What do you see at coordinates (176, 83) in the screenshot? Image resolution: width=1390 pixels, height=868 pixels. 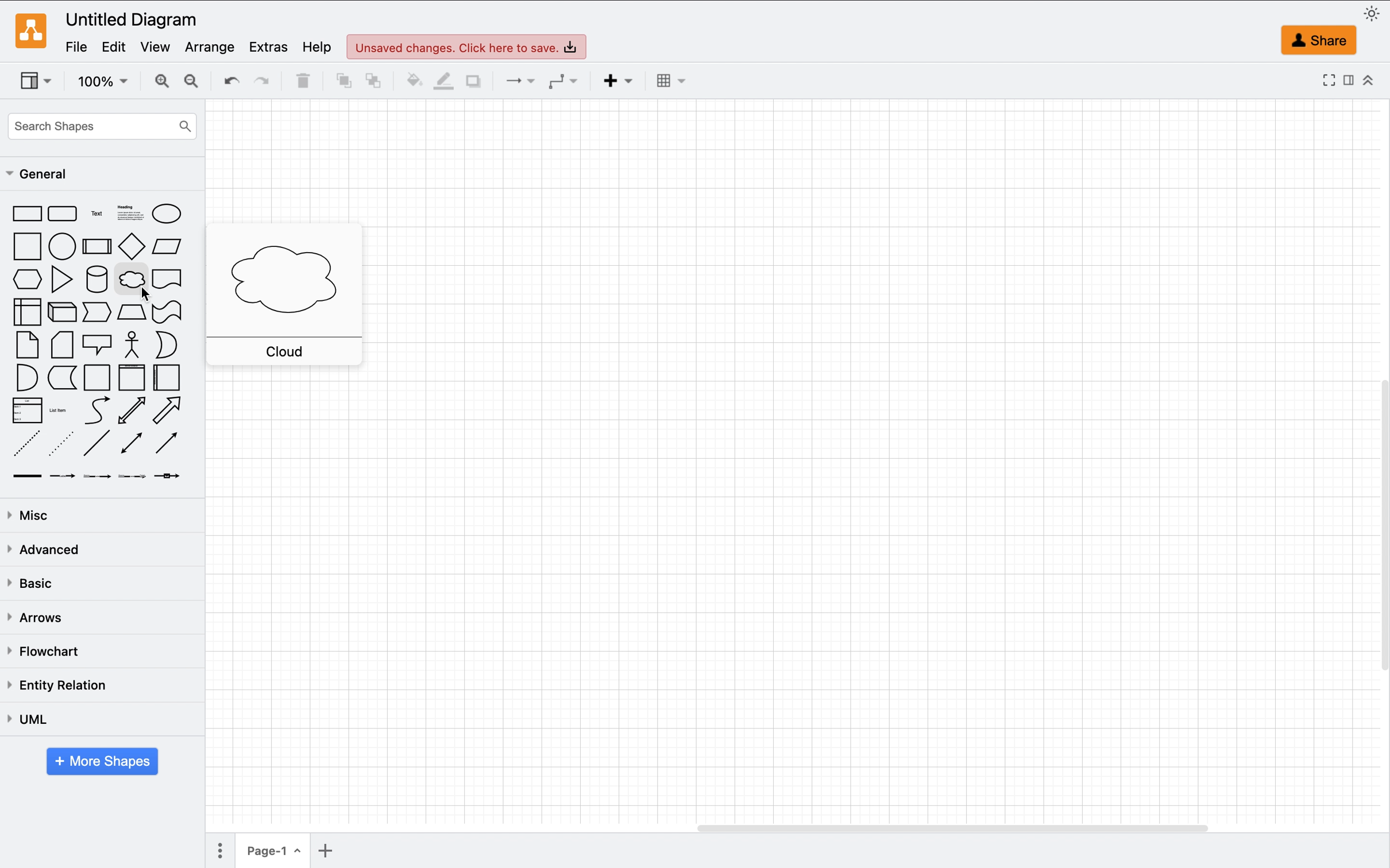 I see `zoom in and out` at bounding box center [176, 83].